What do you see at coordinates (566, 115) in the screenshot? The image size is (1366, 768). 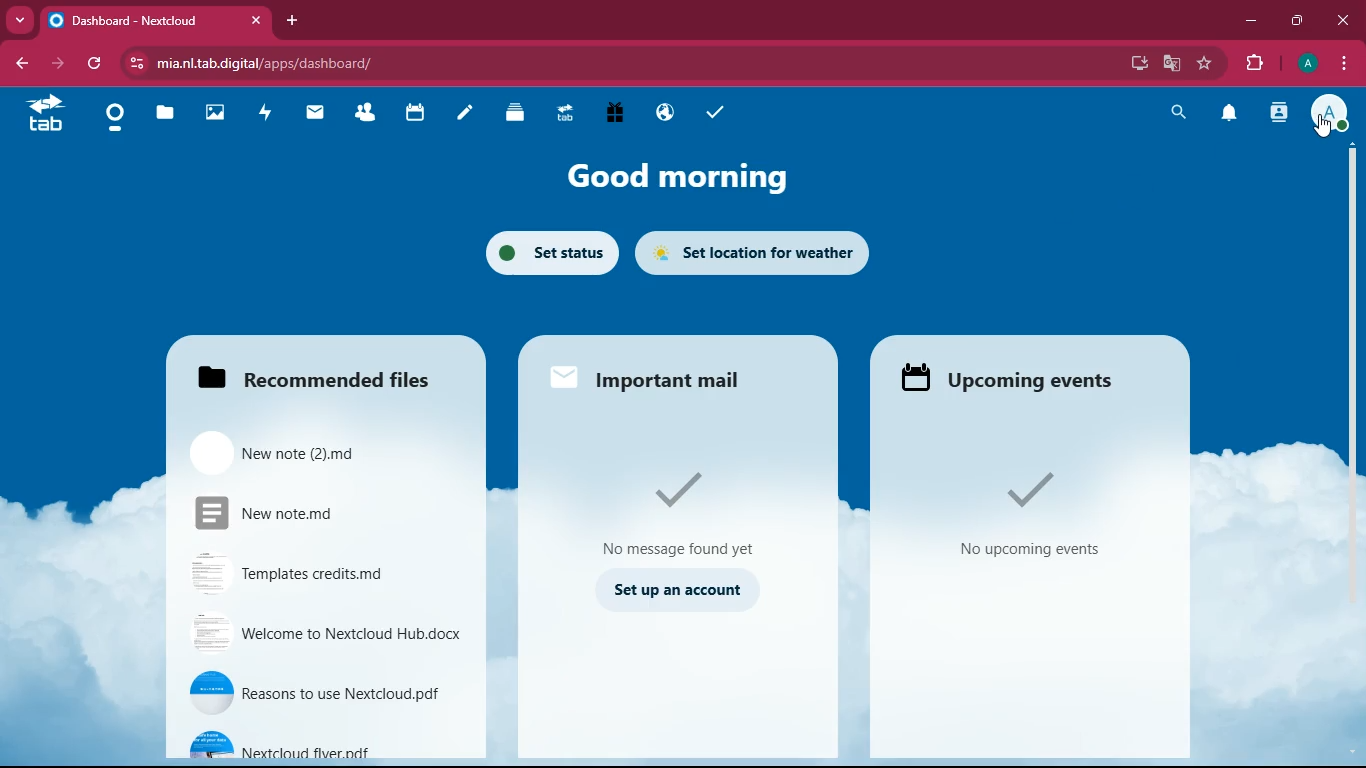 I see `Upgrade` at bounding box center [566, 115].